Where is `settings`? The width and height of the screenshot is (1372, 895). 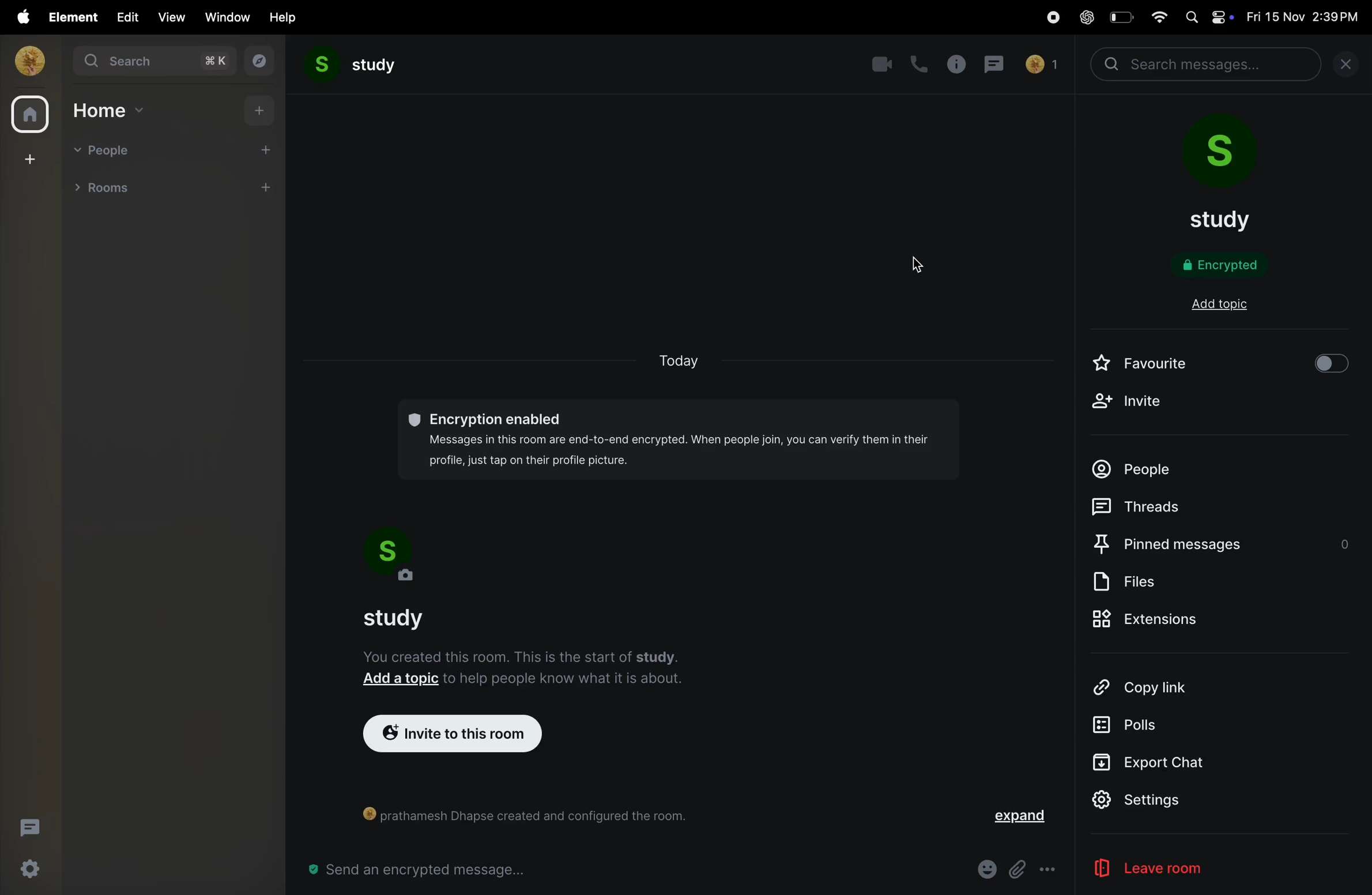
settings is located at coordinates (1215, 801).